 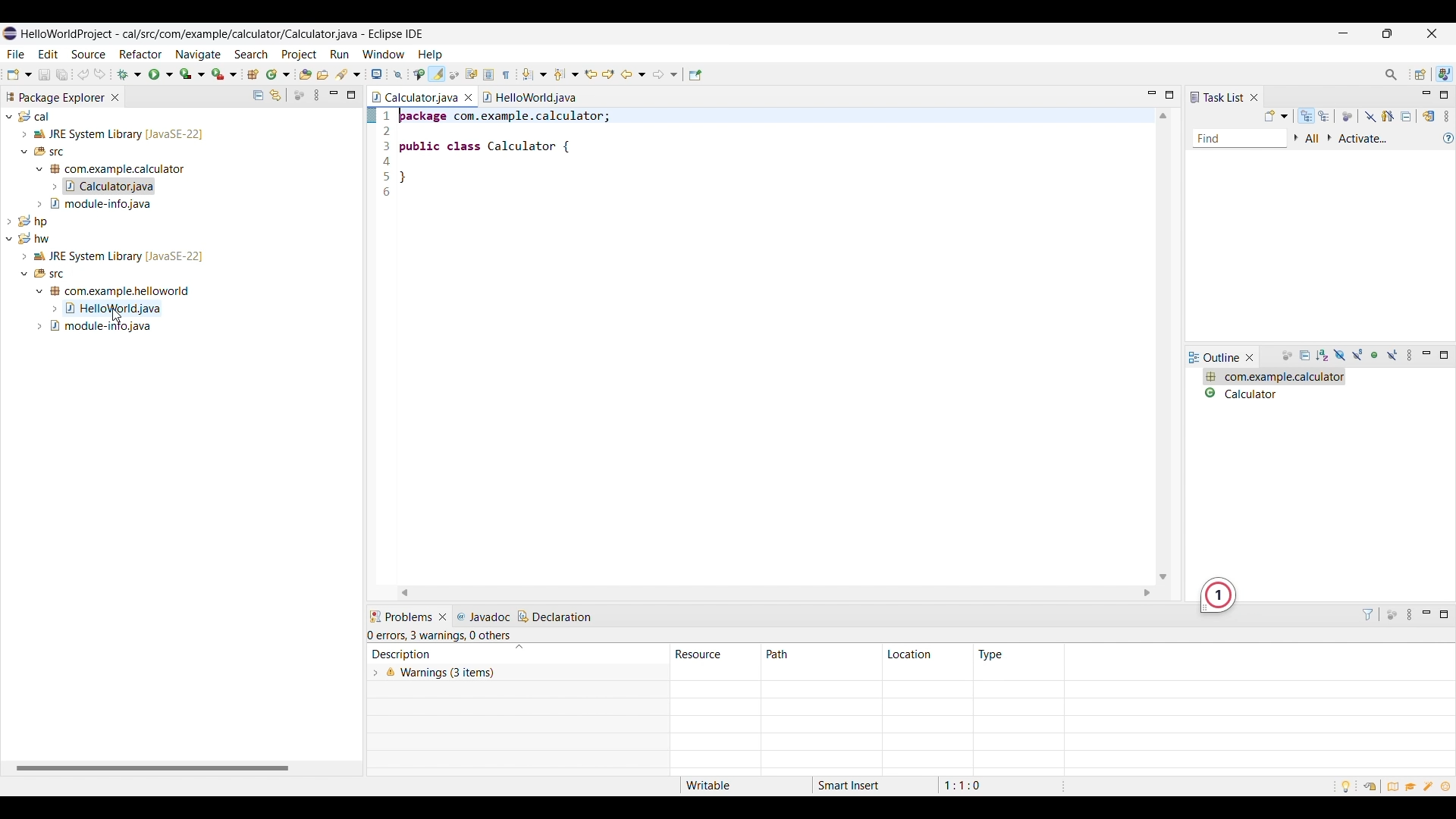 I want to click on Filters, so click(x=1368, y=614).